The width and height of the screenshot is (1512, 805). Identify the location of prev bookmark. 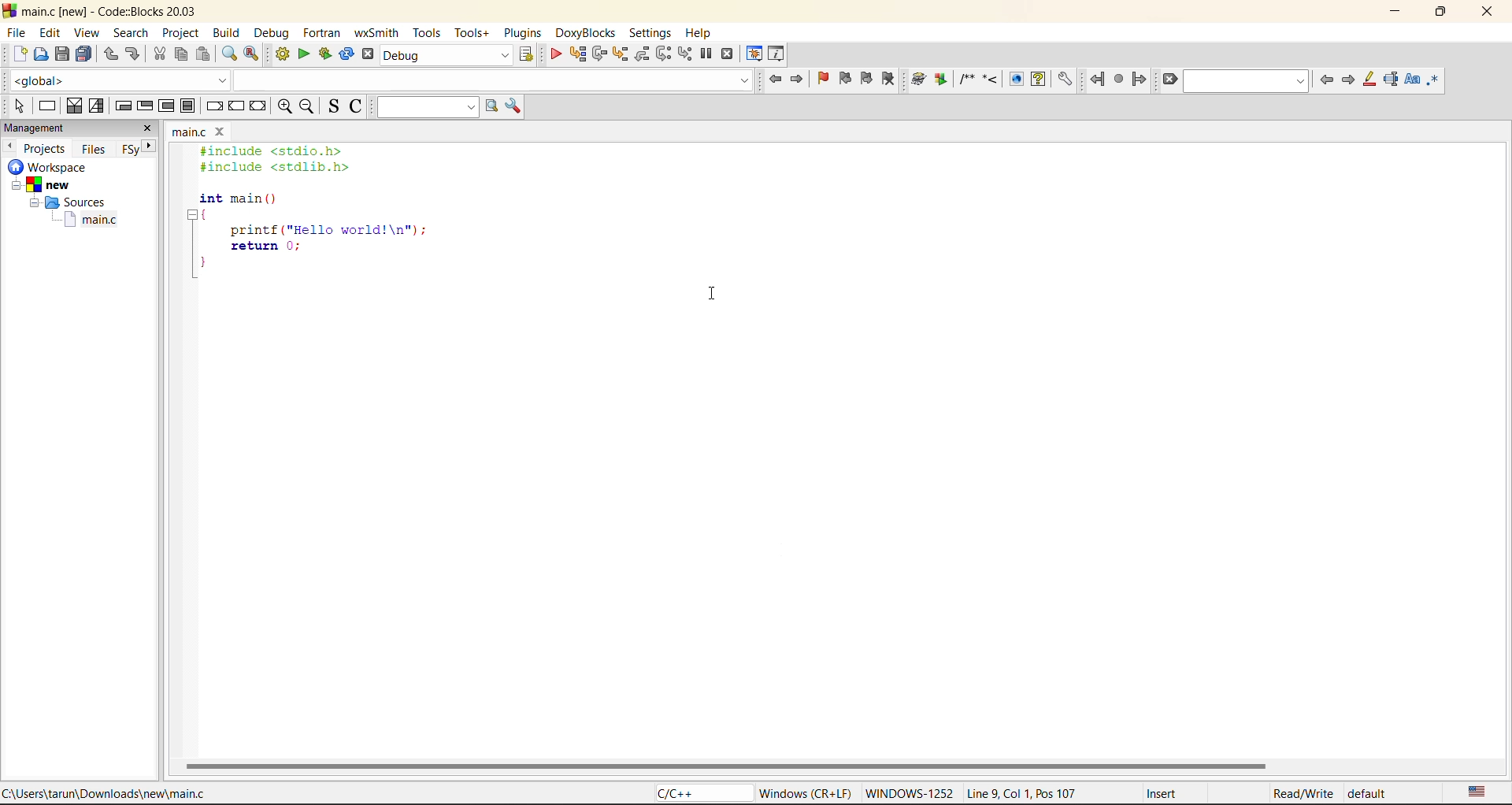
(845, 80).